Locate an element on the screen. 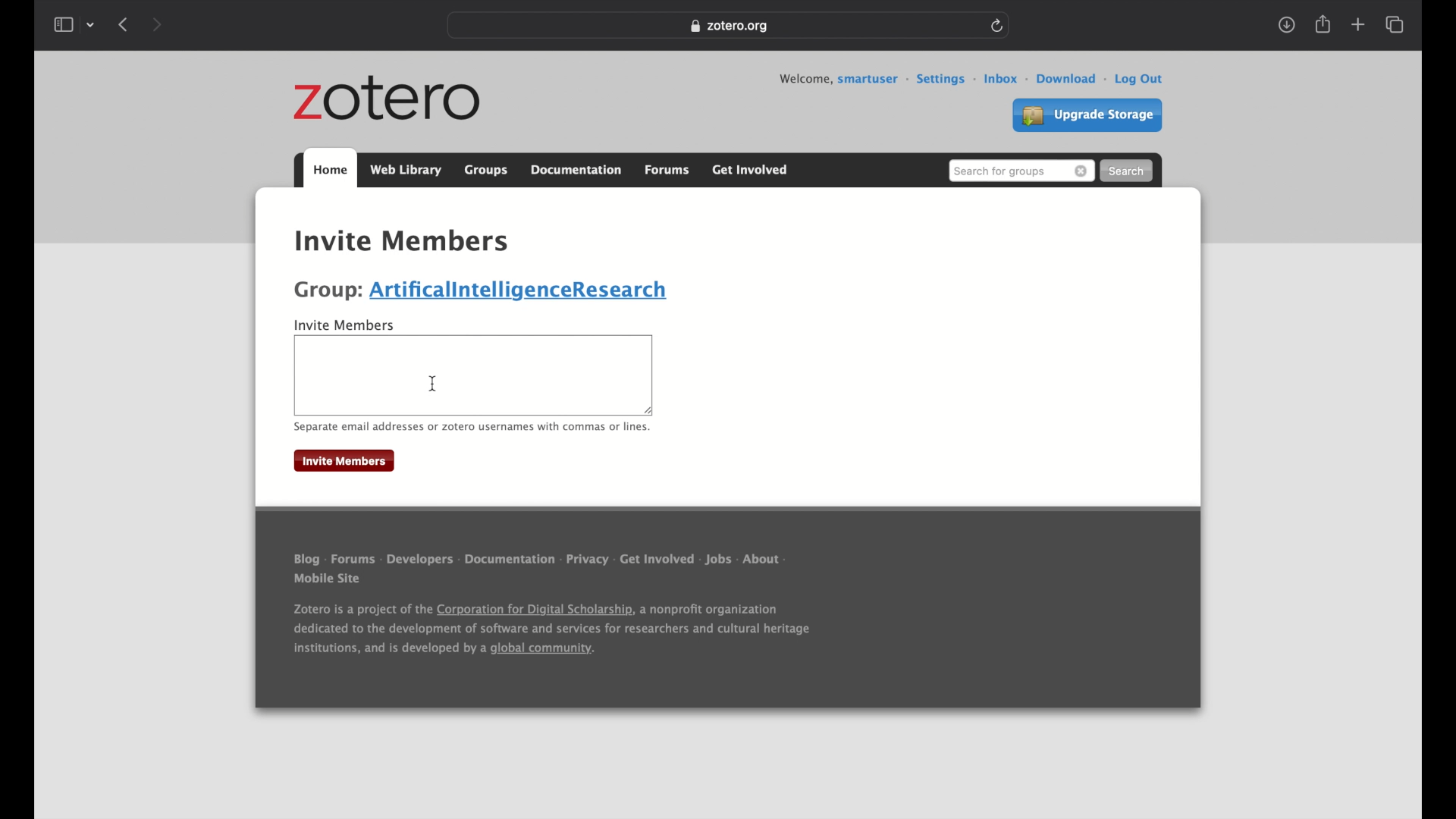 This screenshot has height=819, width=1456. textbox boundary is located at coordinates (530, 335).